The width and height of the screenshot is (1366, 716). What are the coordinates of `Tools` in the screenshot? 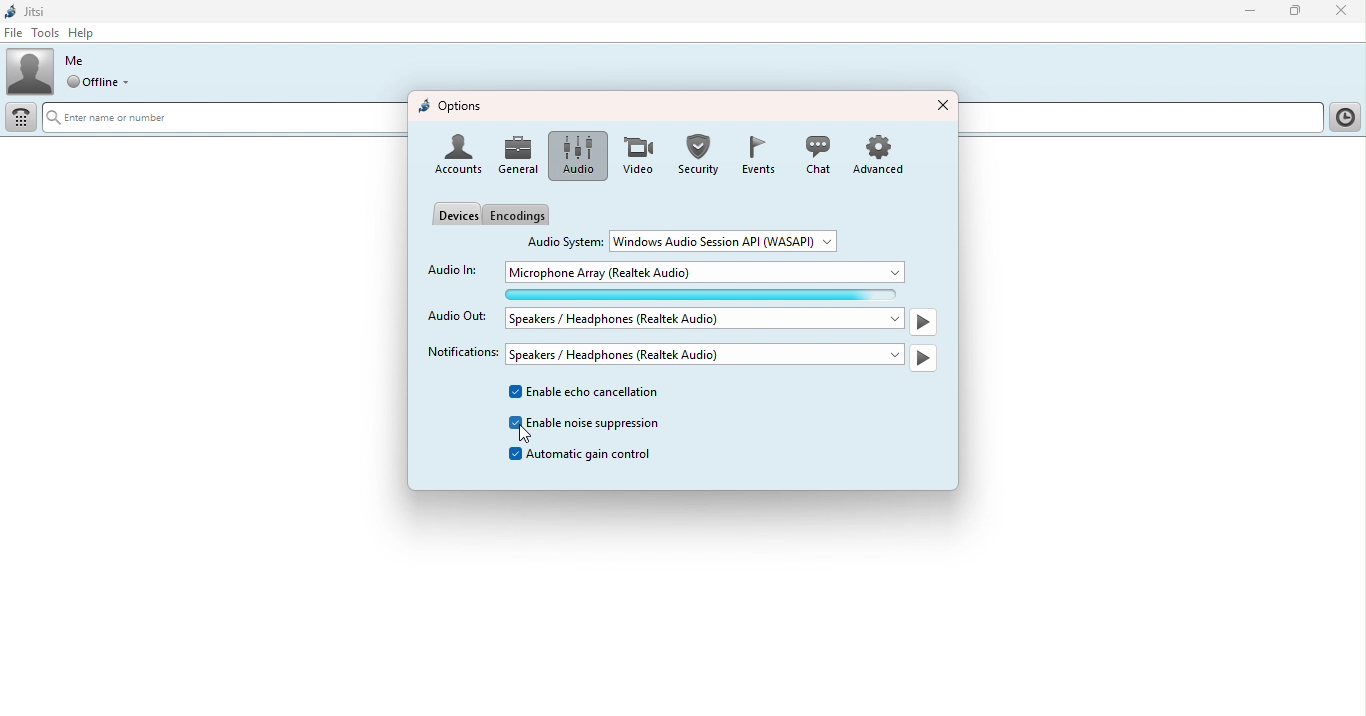 It's located at (47, 32).